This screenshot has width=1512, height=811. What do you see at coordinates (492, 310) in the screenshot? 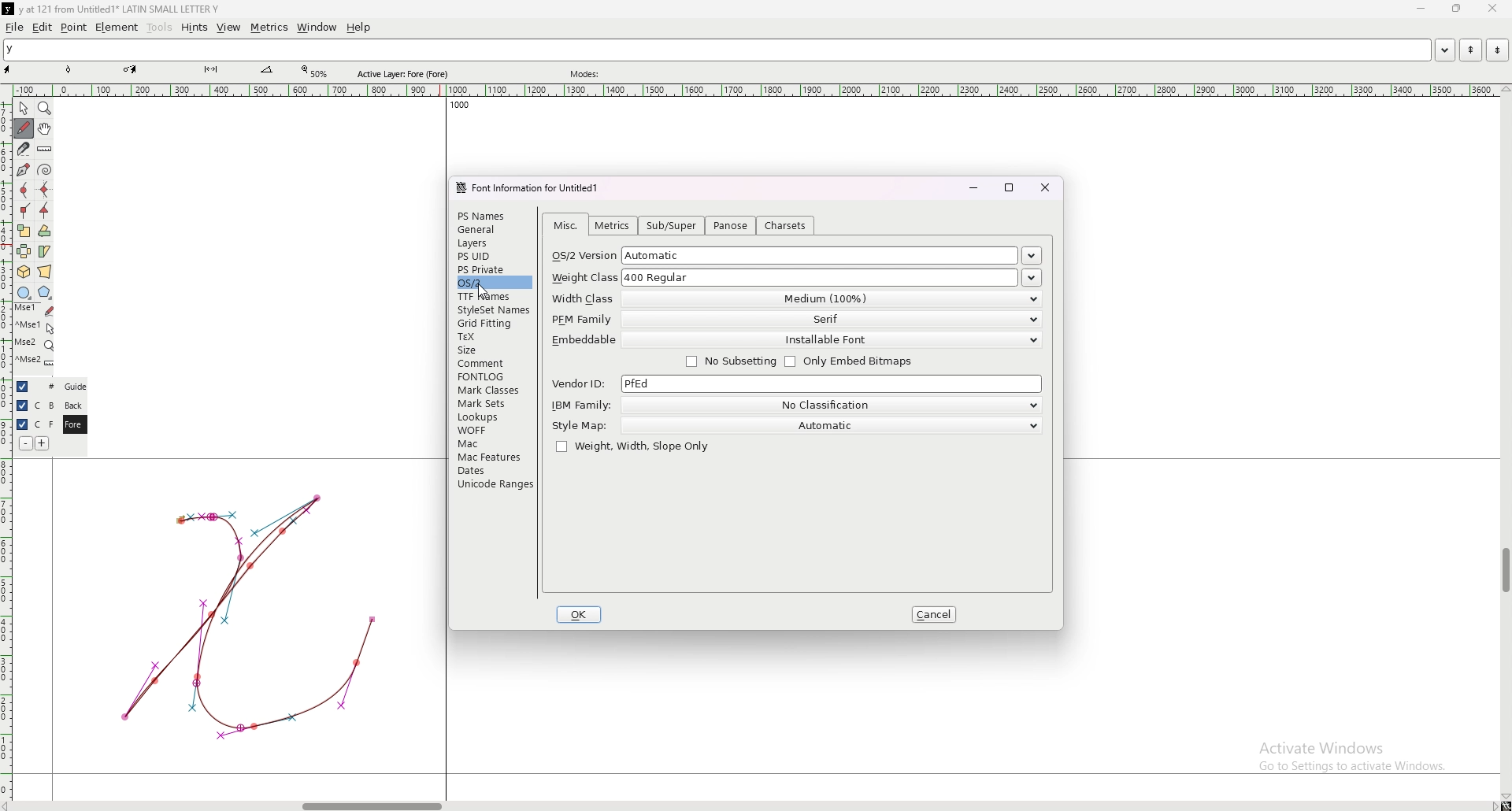
I see `style set names` at bounding box center [492, 310].